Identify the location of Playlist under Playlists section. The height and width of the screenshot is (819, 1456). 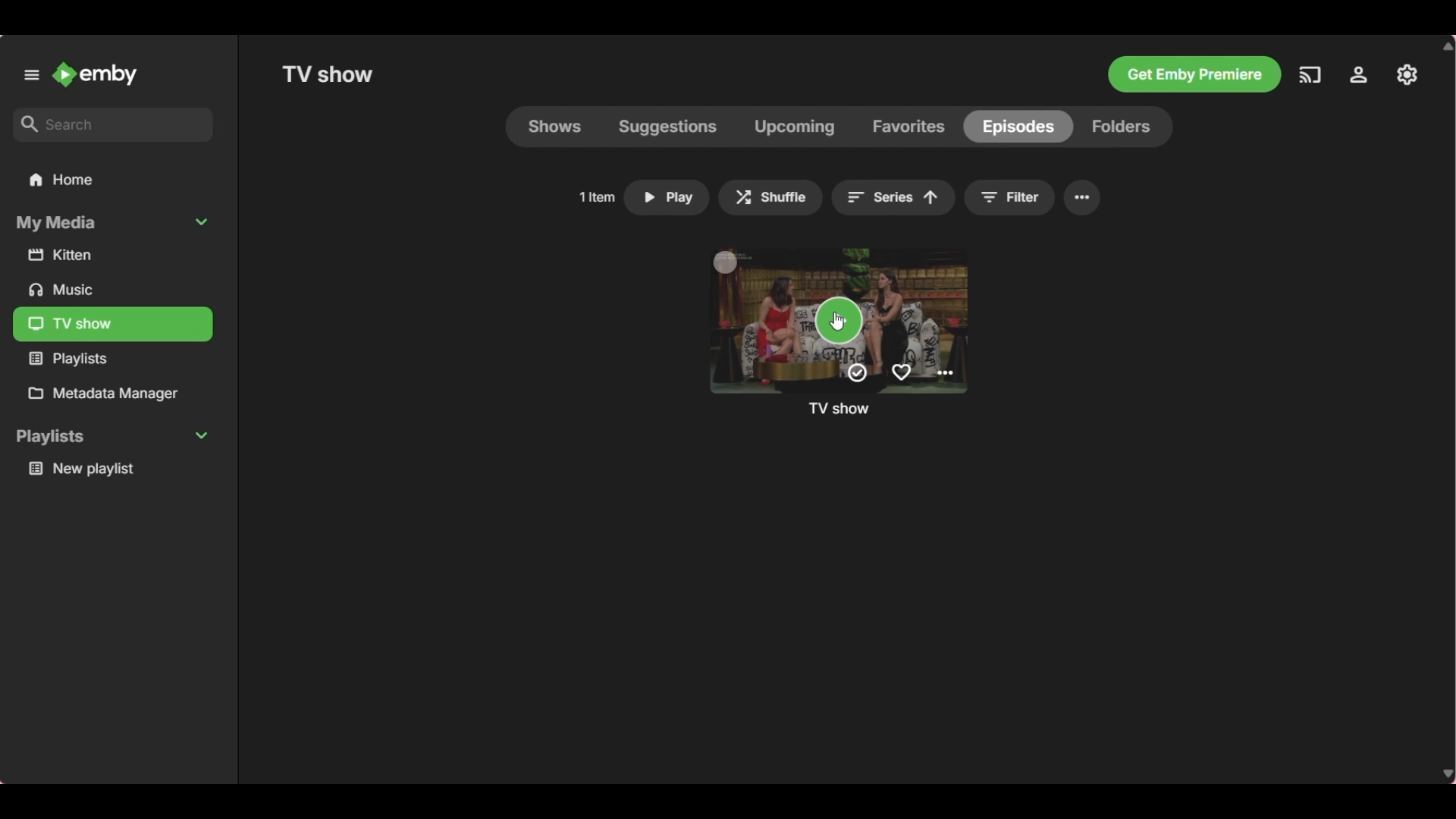
(117, 469).